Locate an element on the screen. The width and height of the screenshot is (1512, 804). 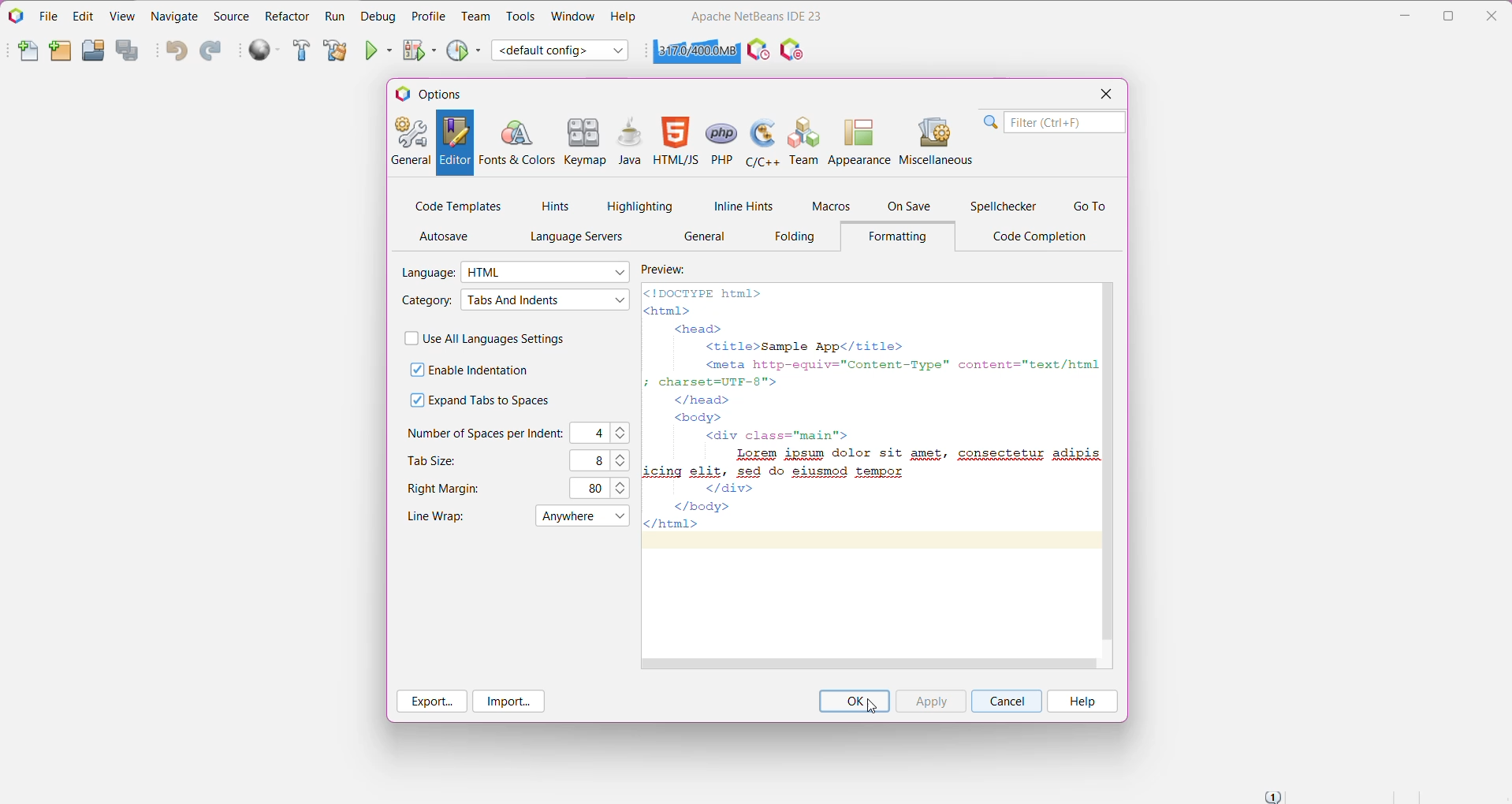
Expand Tabs to Spaces is located at coordinates (493, 400).